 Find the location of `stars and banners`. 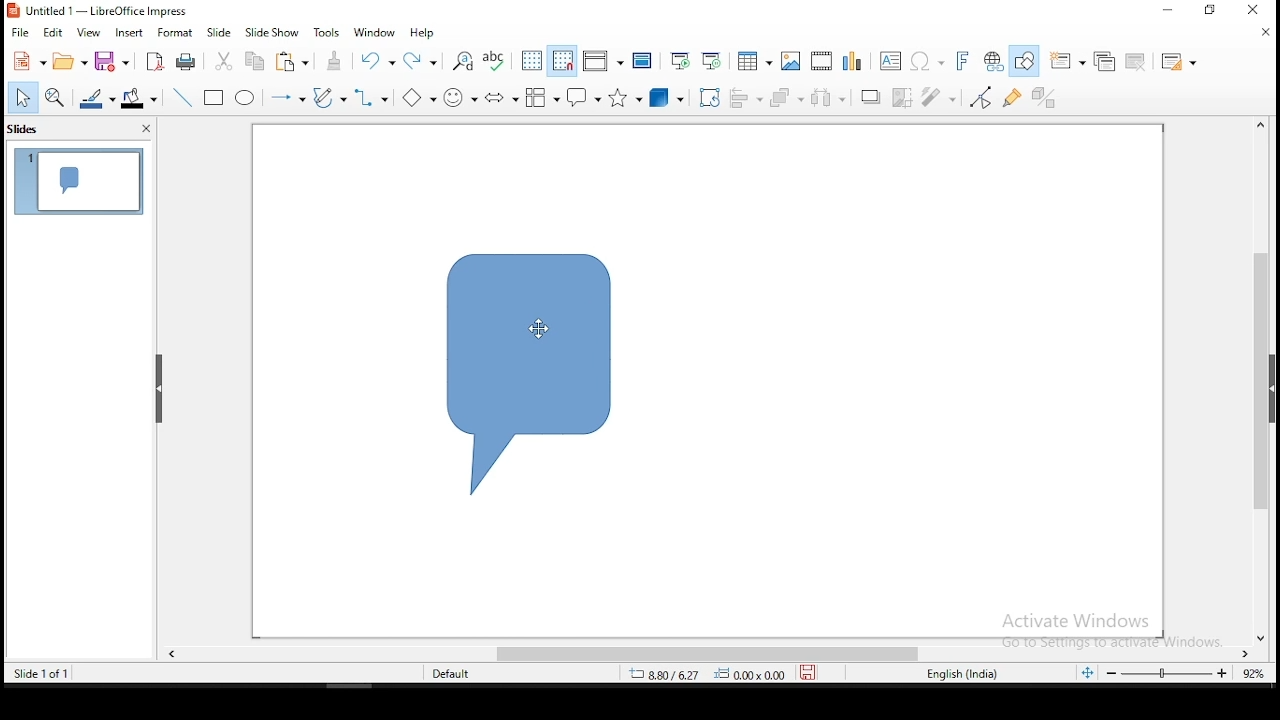

stars and banners is located at coordinates (622, 98).